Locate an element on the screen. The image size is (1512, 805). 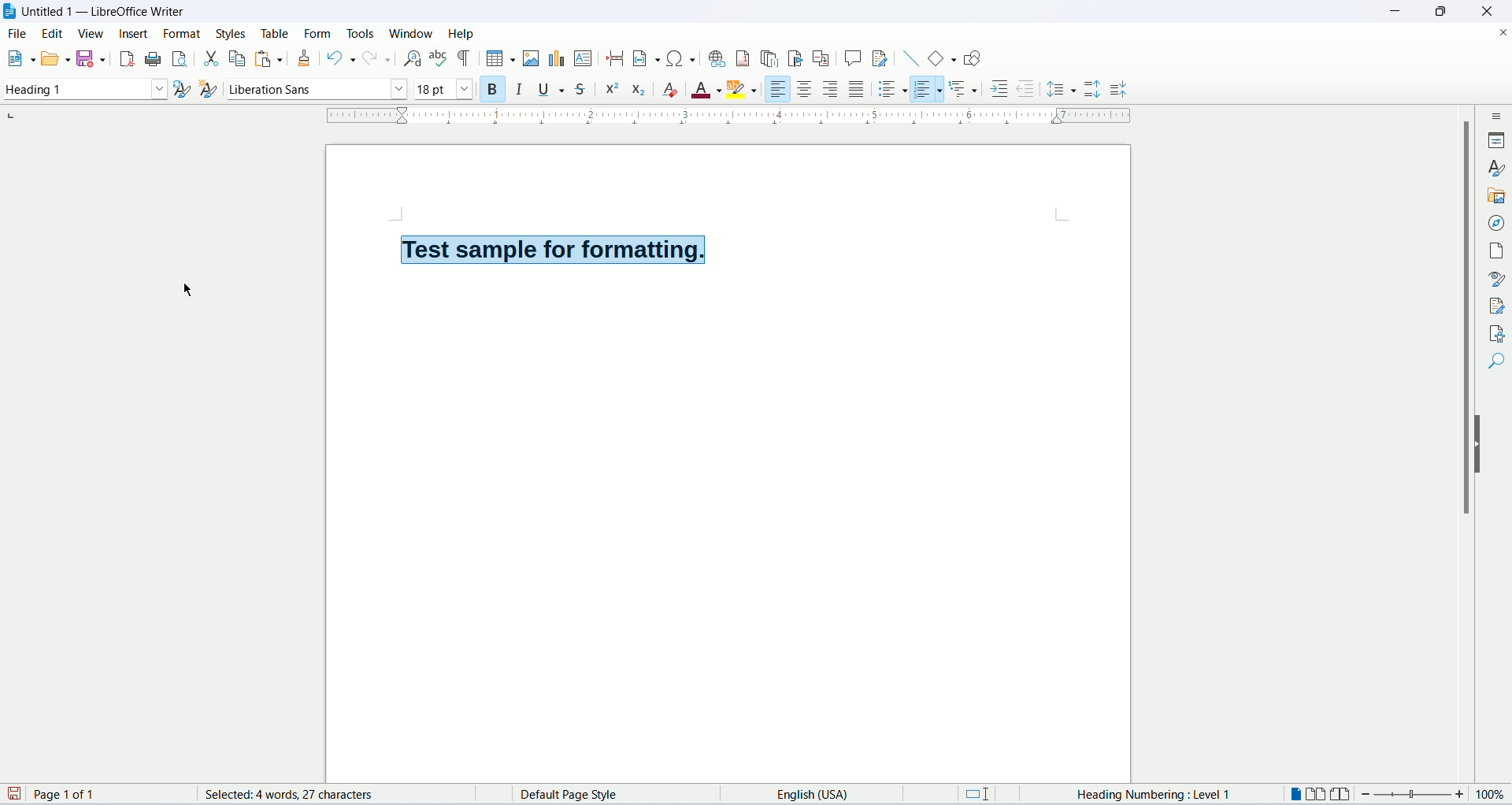
strikethrough is located at coordinates (584, 87).